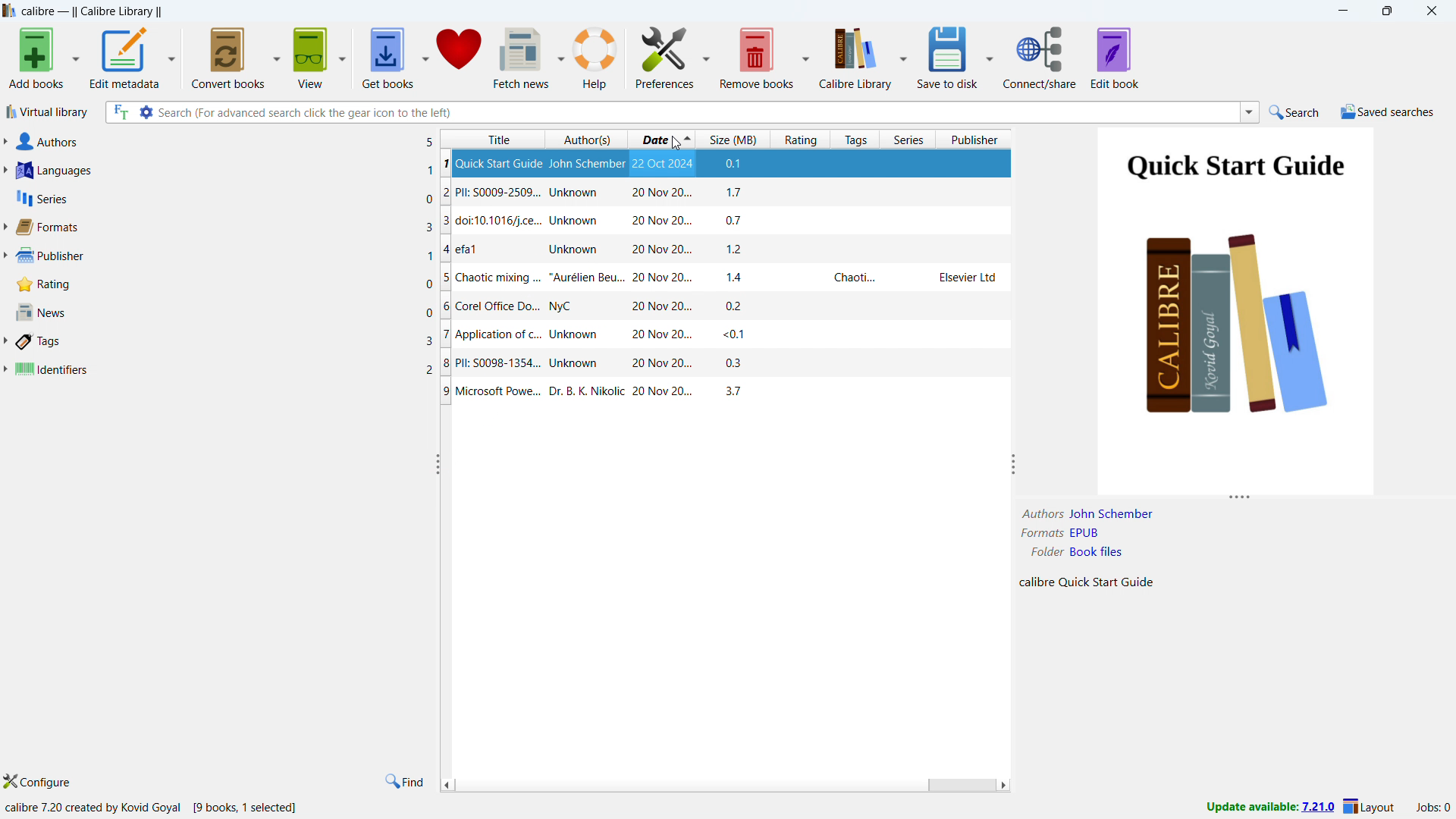 The image size is (1456, 819). What do you see at coordinates (663, 193) in the screenshot?
I see `20 Nov 20..` at bounding box center [663, 193].